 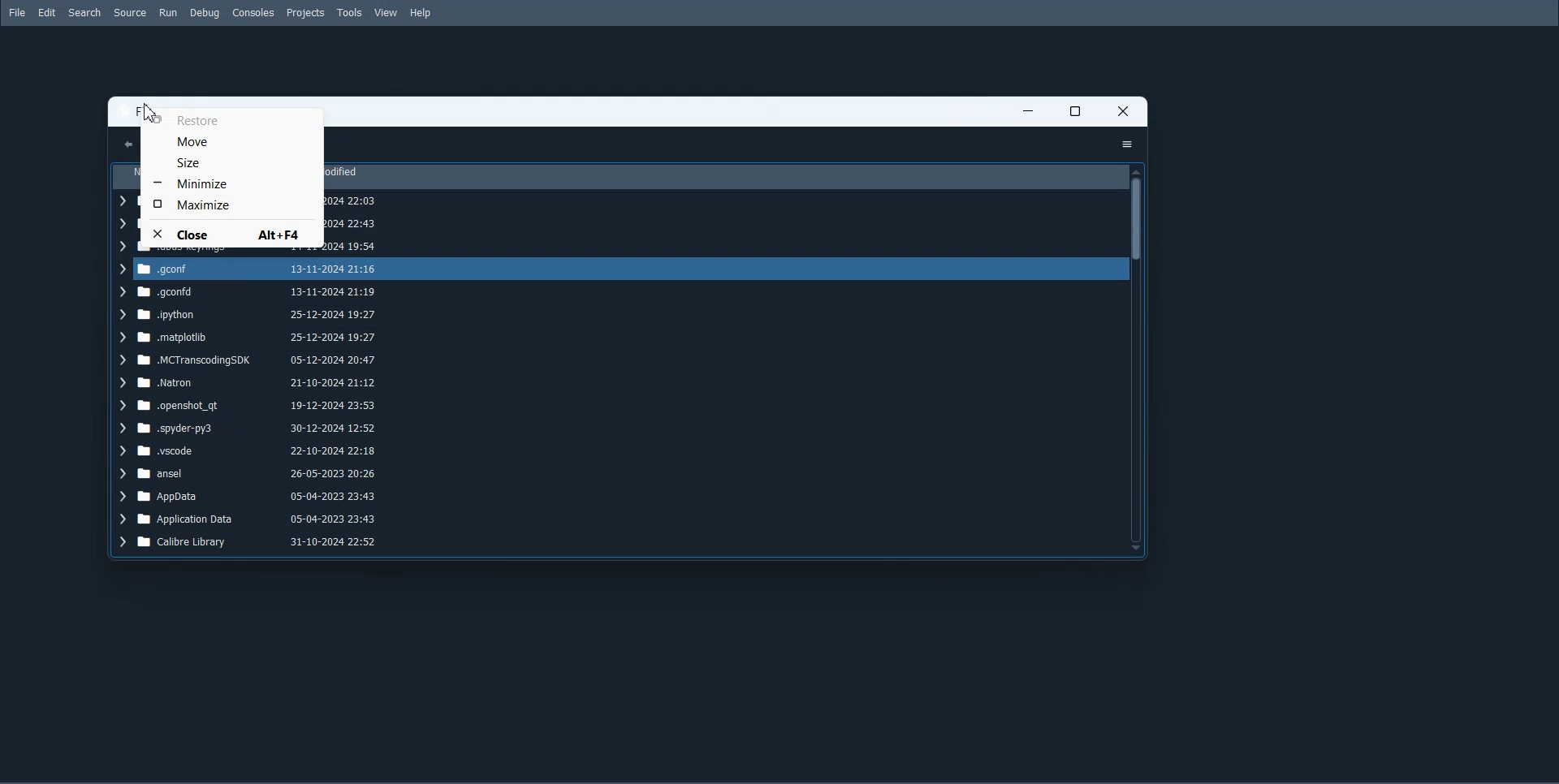 What do you see at coordinates (1029, 112) in the screenshot?
I see `Minimize` at bounding box center [1029, 112].